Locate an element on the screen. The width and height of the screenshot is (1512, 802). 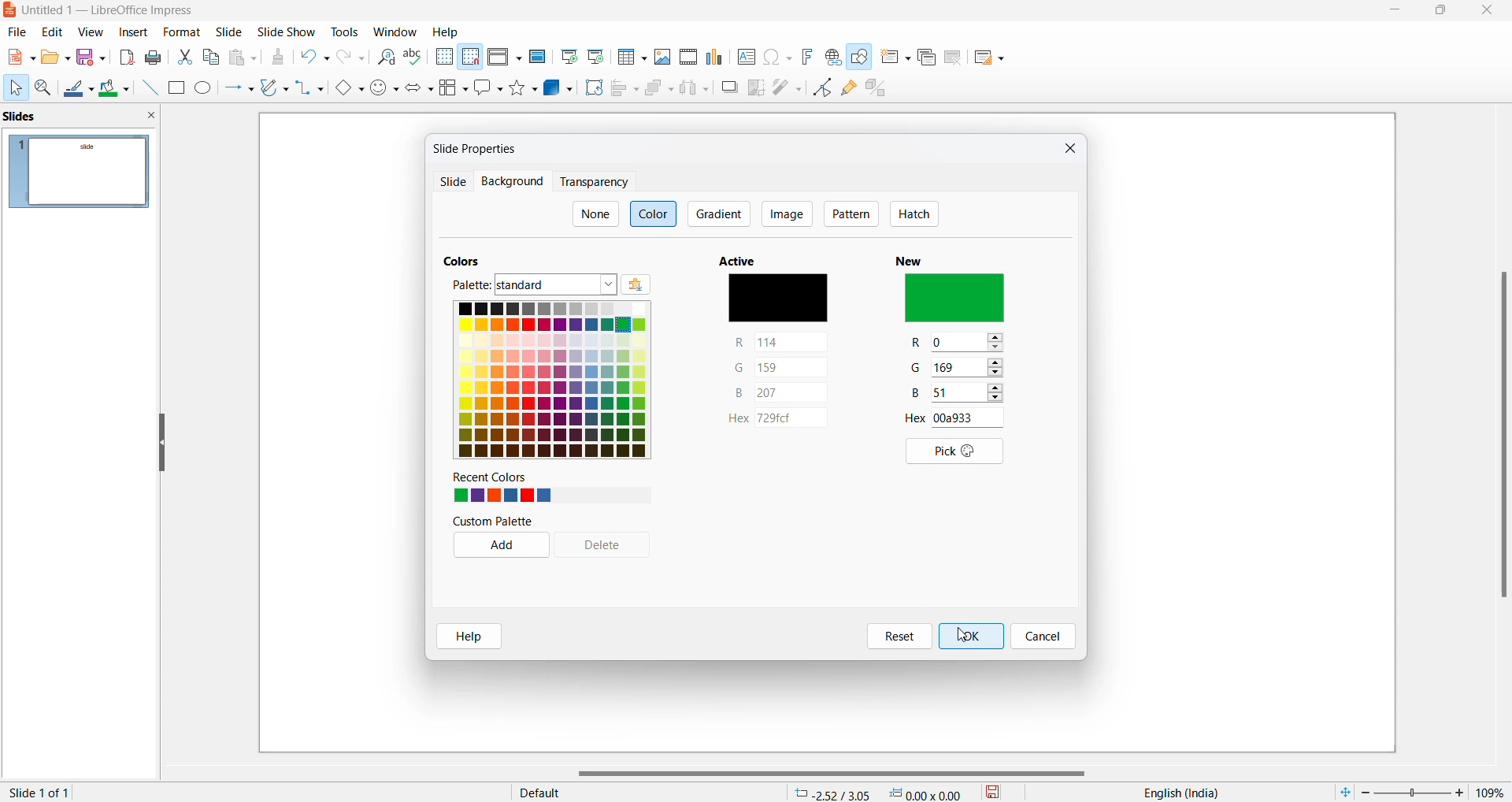
zoom and pan  is located at coordinates (44, 91).